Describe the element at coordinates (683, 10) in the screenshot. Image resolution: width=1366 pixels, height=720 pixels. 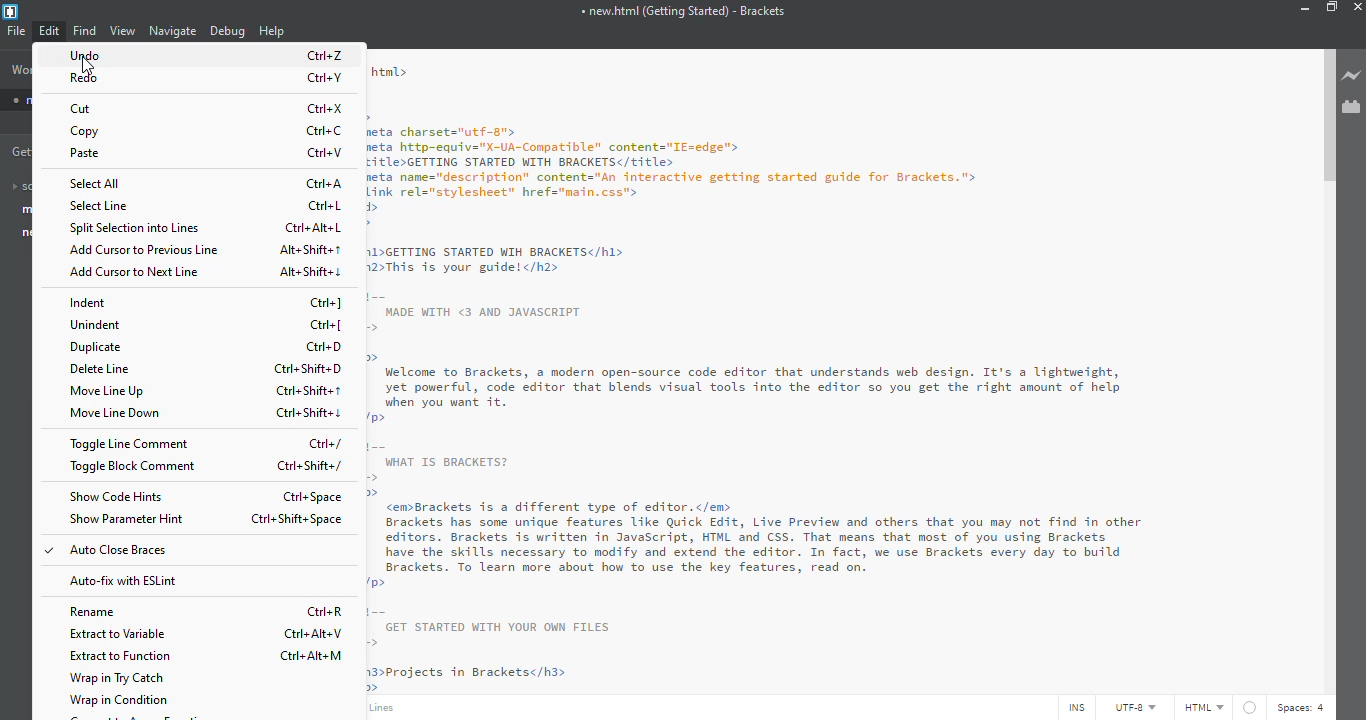
I see `« new.htm!l (Getting Started) - Brackets` at that location.